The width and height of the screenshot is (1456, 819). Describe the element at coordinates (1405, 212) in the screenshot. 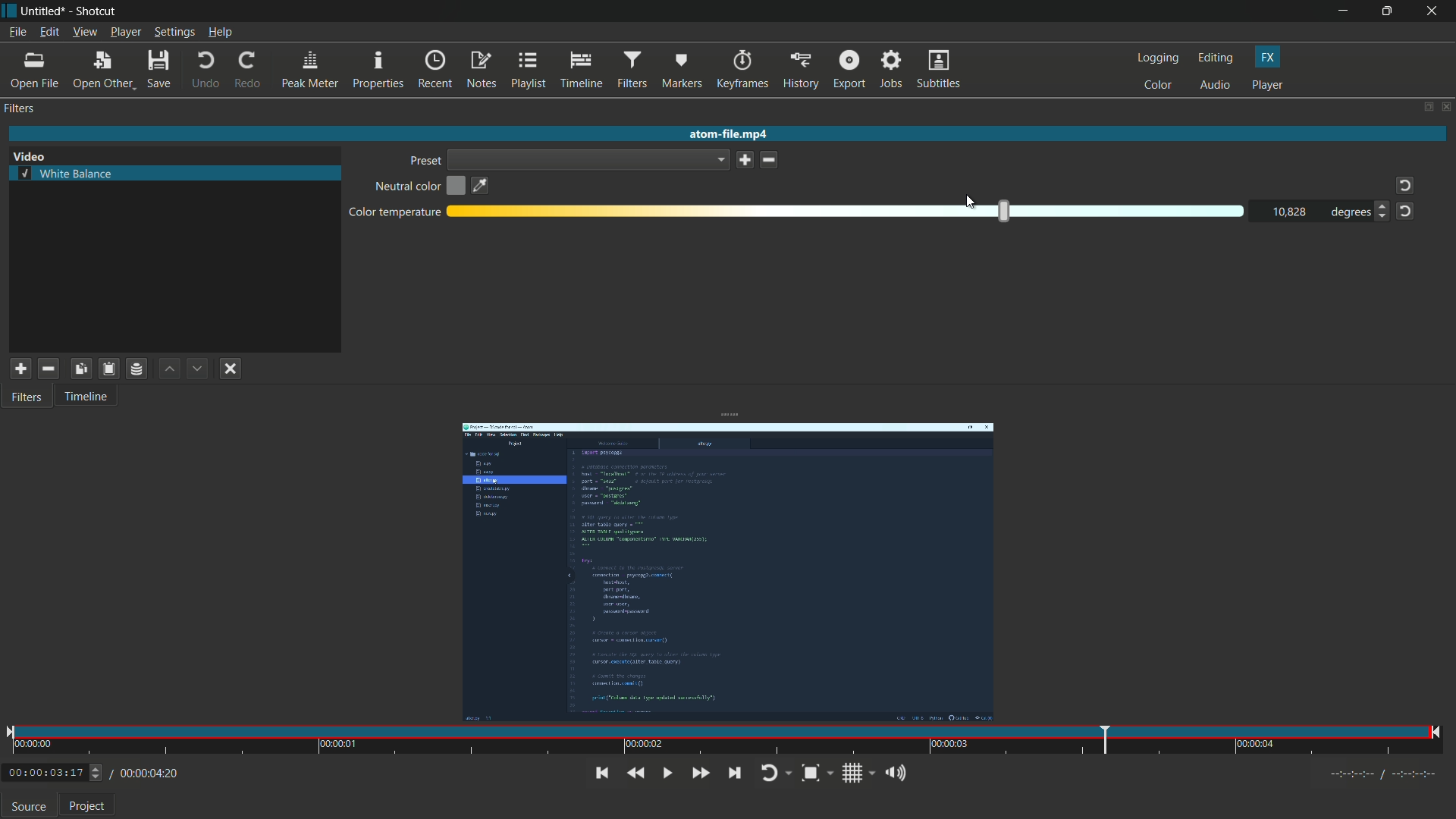

I see `reset to default` at that location.